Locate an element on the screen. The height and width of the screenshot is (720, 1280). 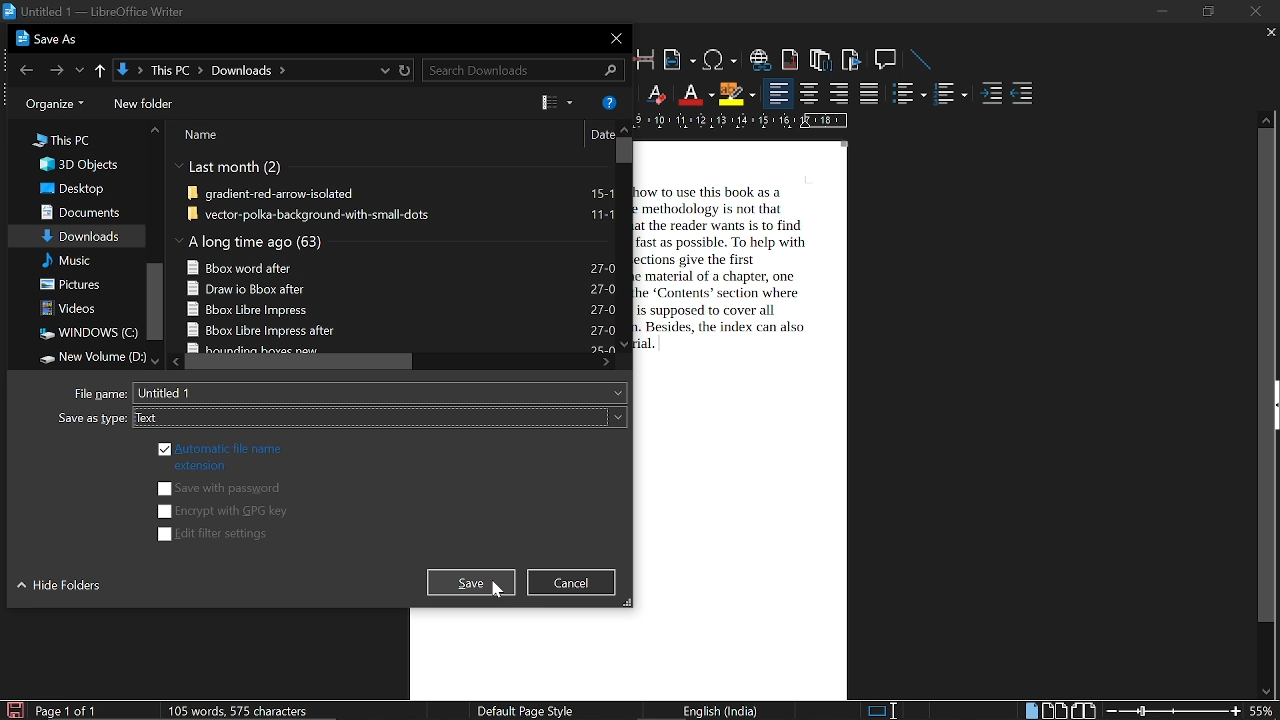
Downloads is located at coordinates (81, 235).